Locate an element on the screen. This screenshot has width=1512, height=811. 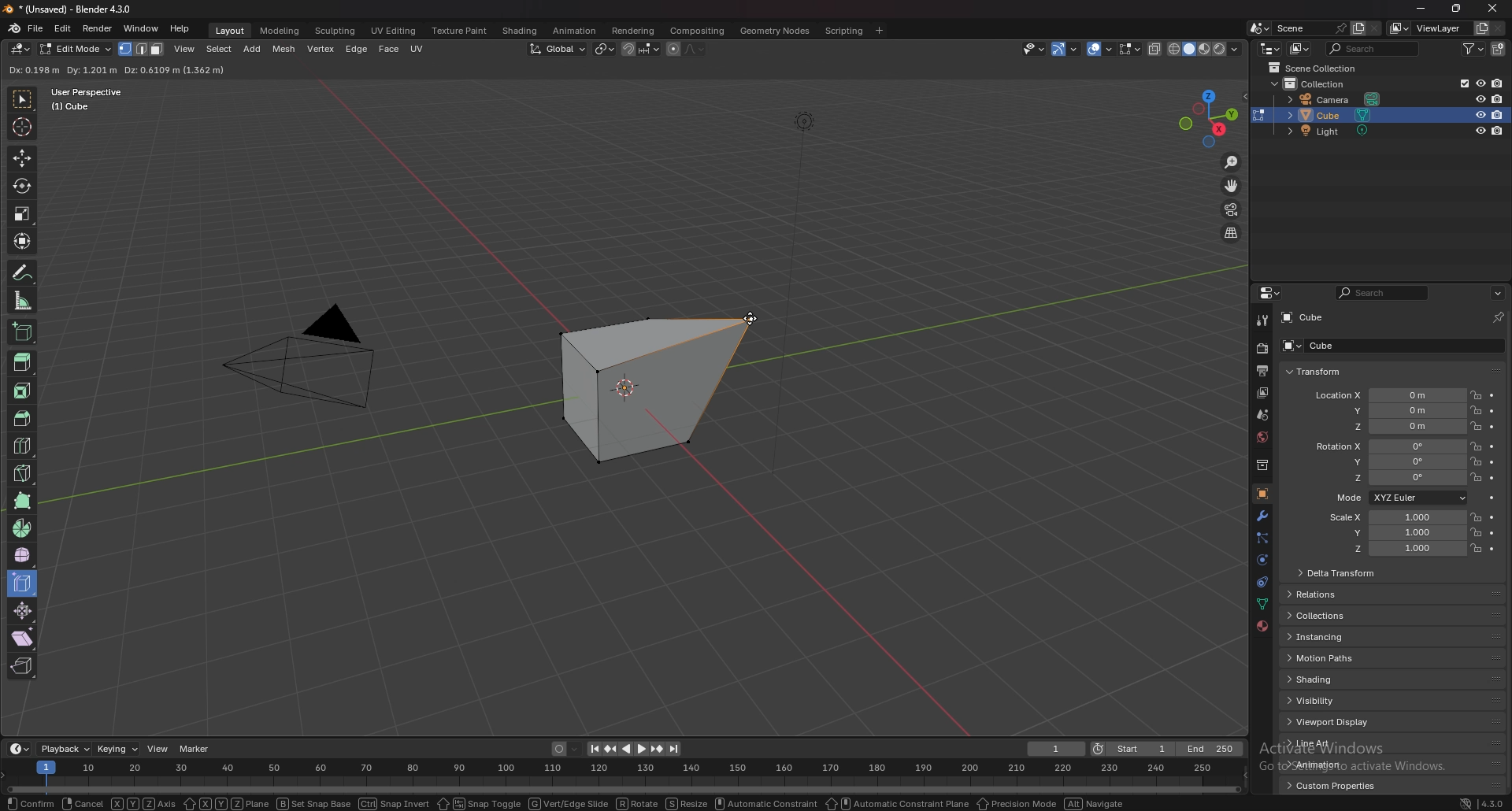
hide in viewport is located at coordinates (1111, 87).